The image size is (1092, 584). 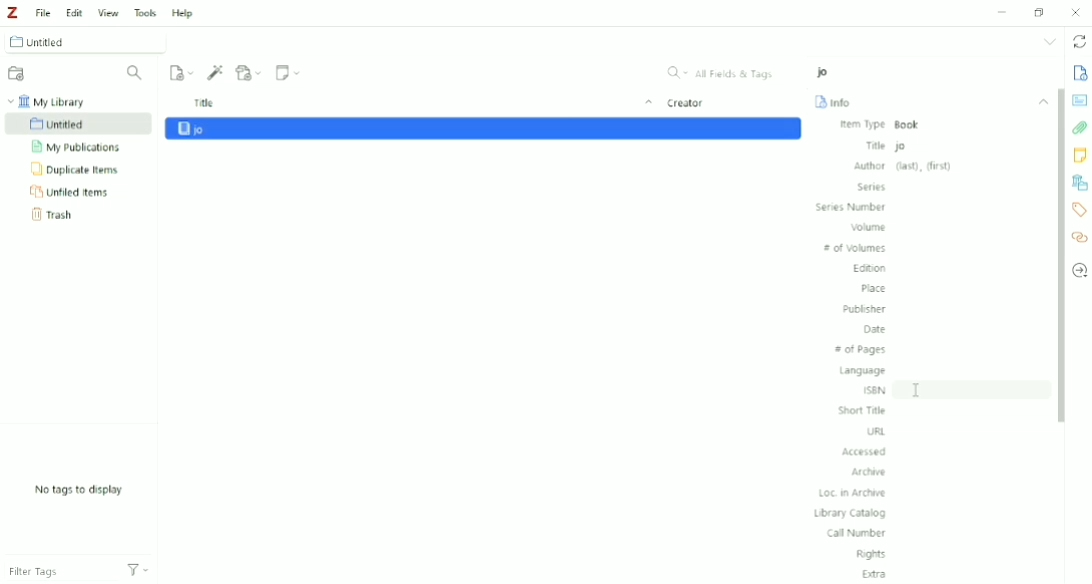 I want to click on Extra, so click(x=875, y=574).